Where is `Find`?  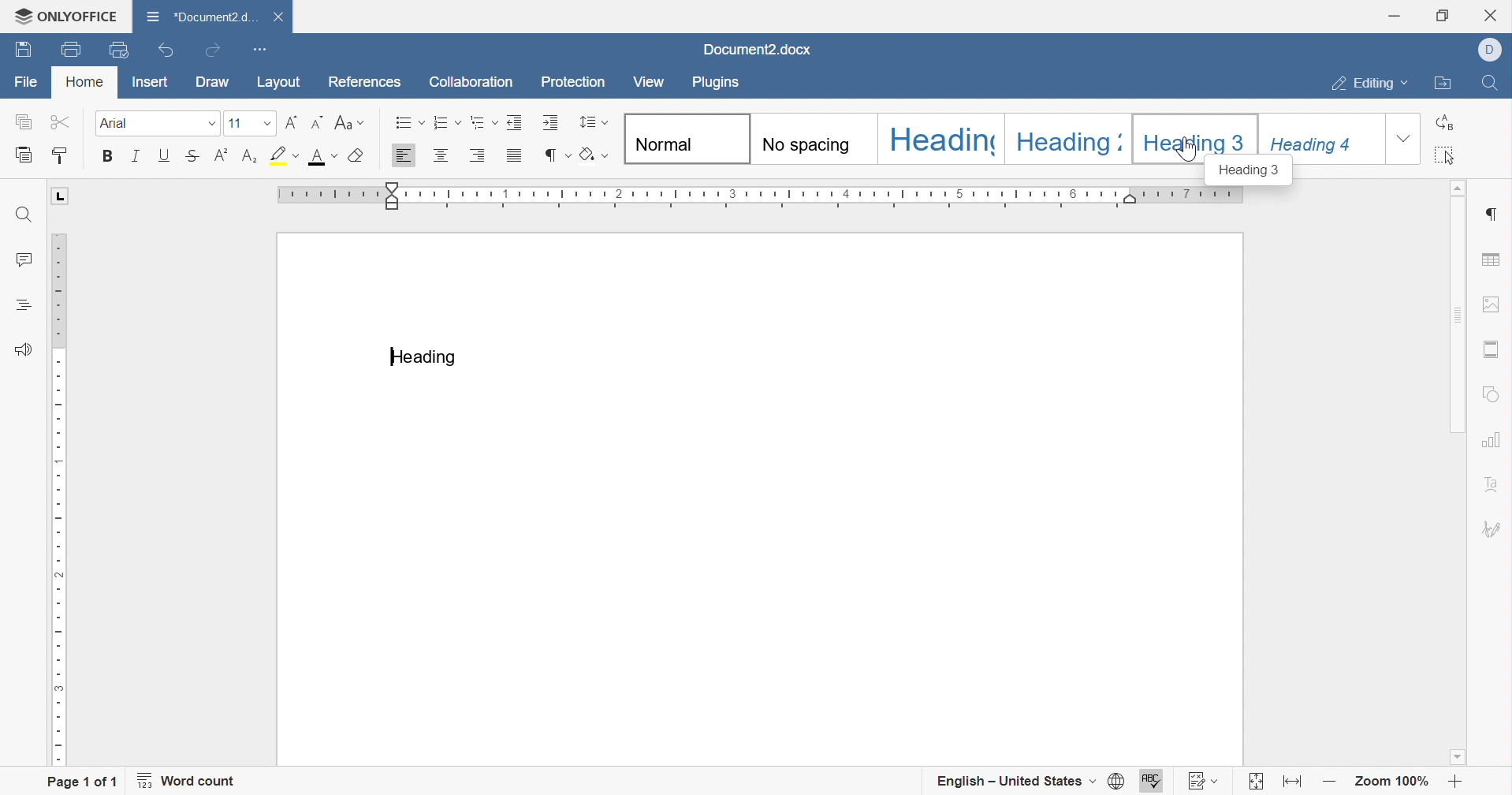 Find is located at coordinates (25, 216).